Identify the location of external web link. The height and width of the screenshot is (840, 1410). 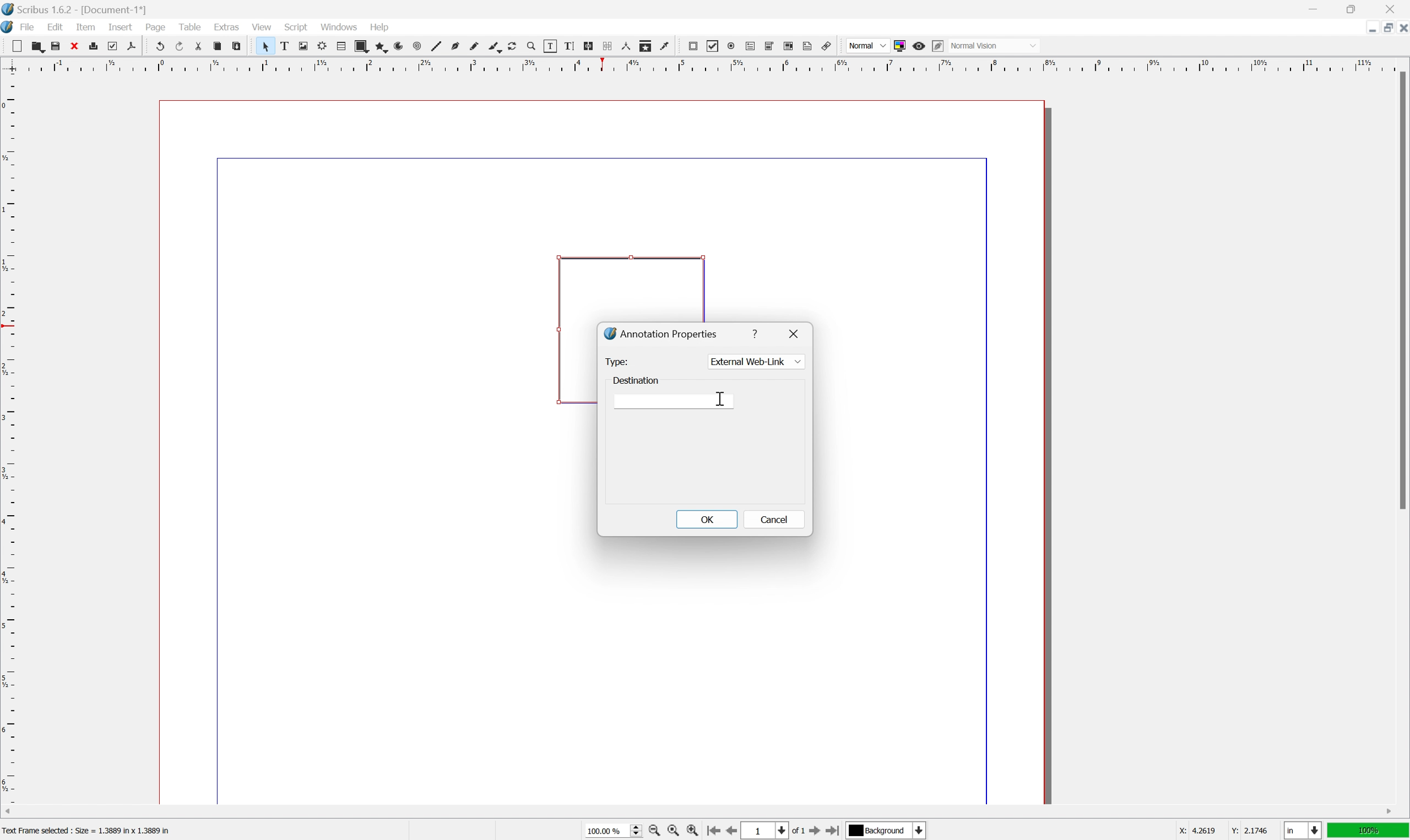
(755, 362).